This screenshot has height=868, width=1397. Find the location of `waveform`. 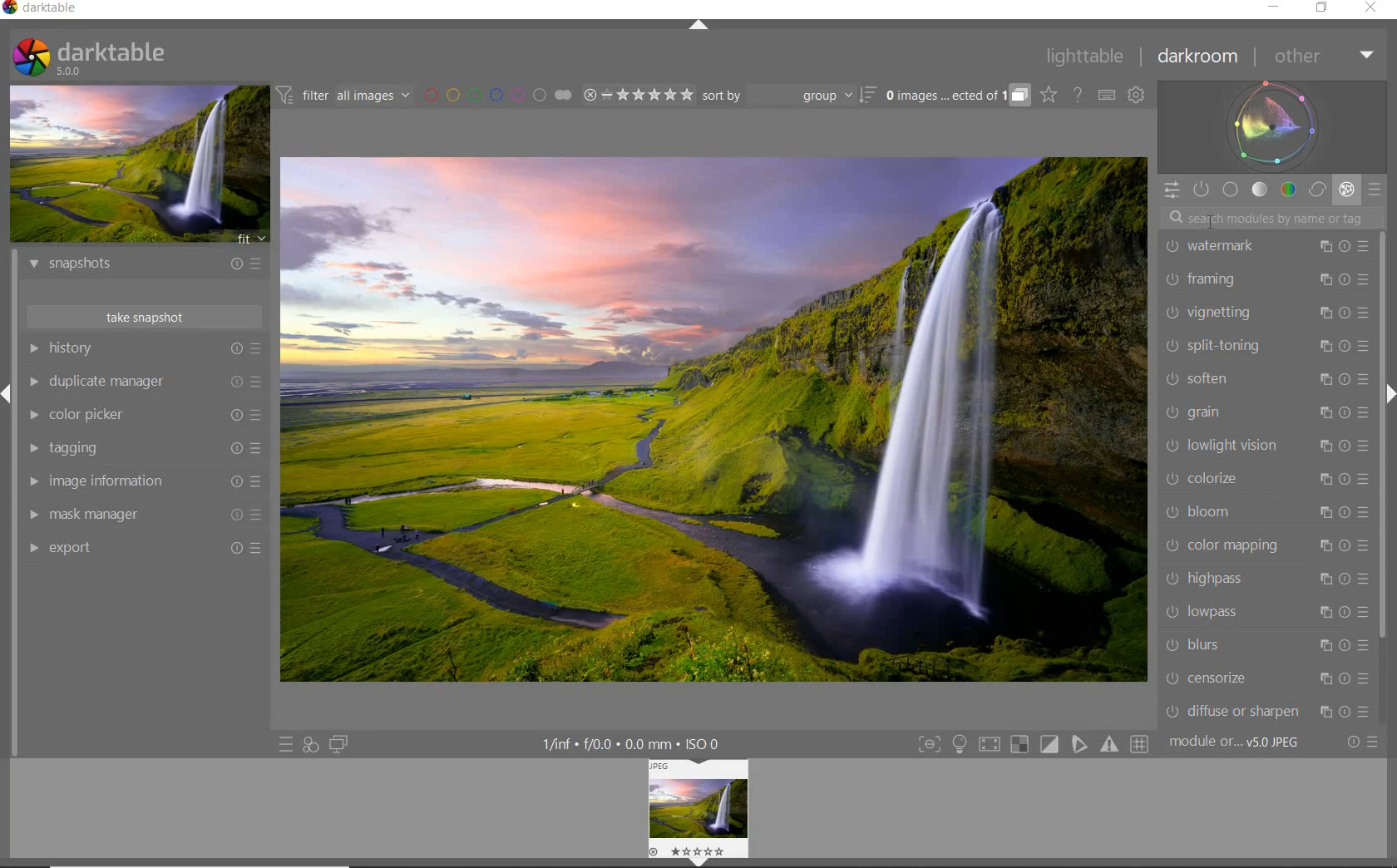

waveform is located at coordinates (1273, 126).